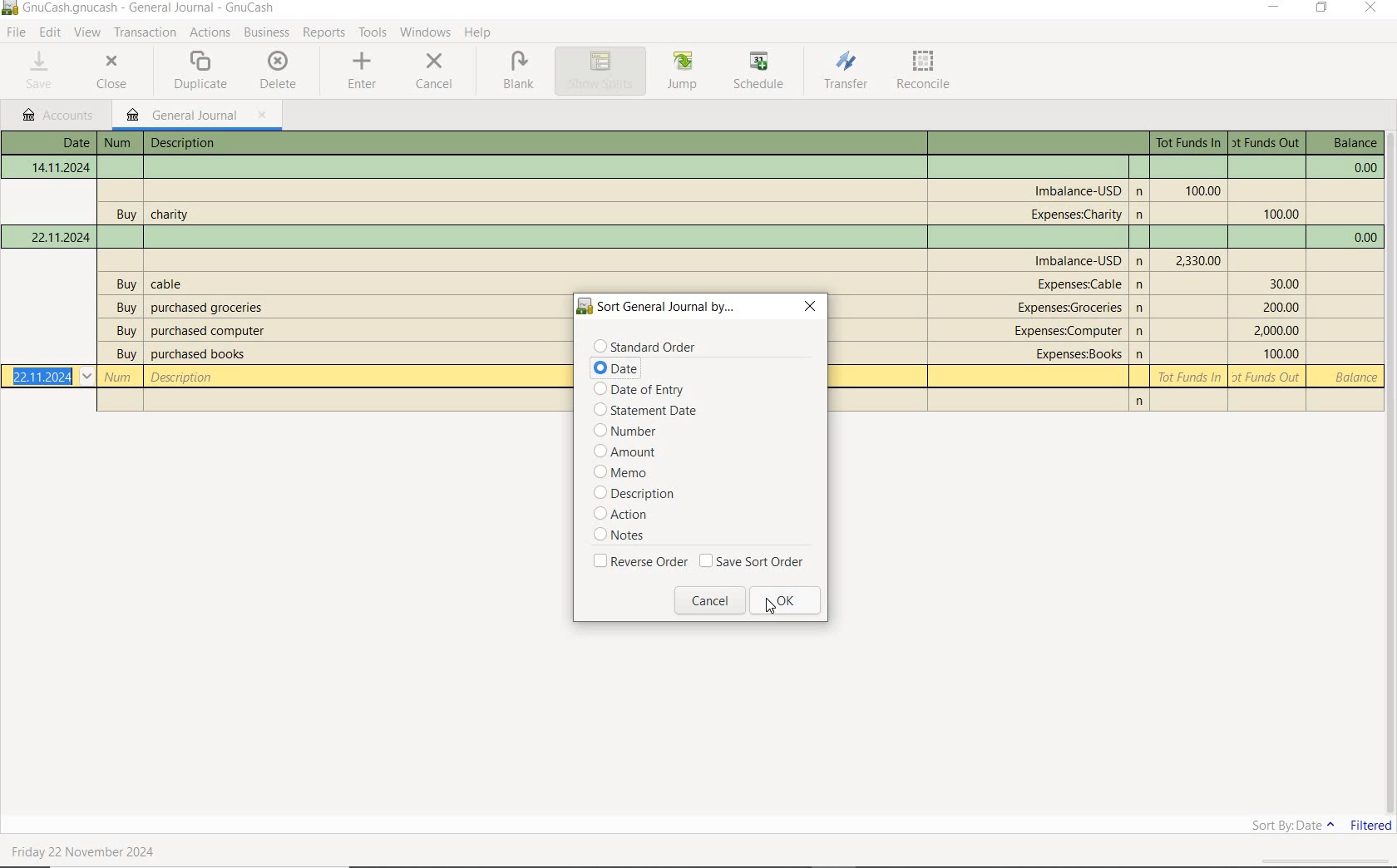  What do you see at coordinates (1353, 378) in the screenshot?
I see `balance` at bounding box center [1353, 378].